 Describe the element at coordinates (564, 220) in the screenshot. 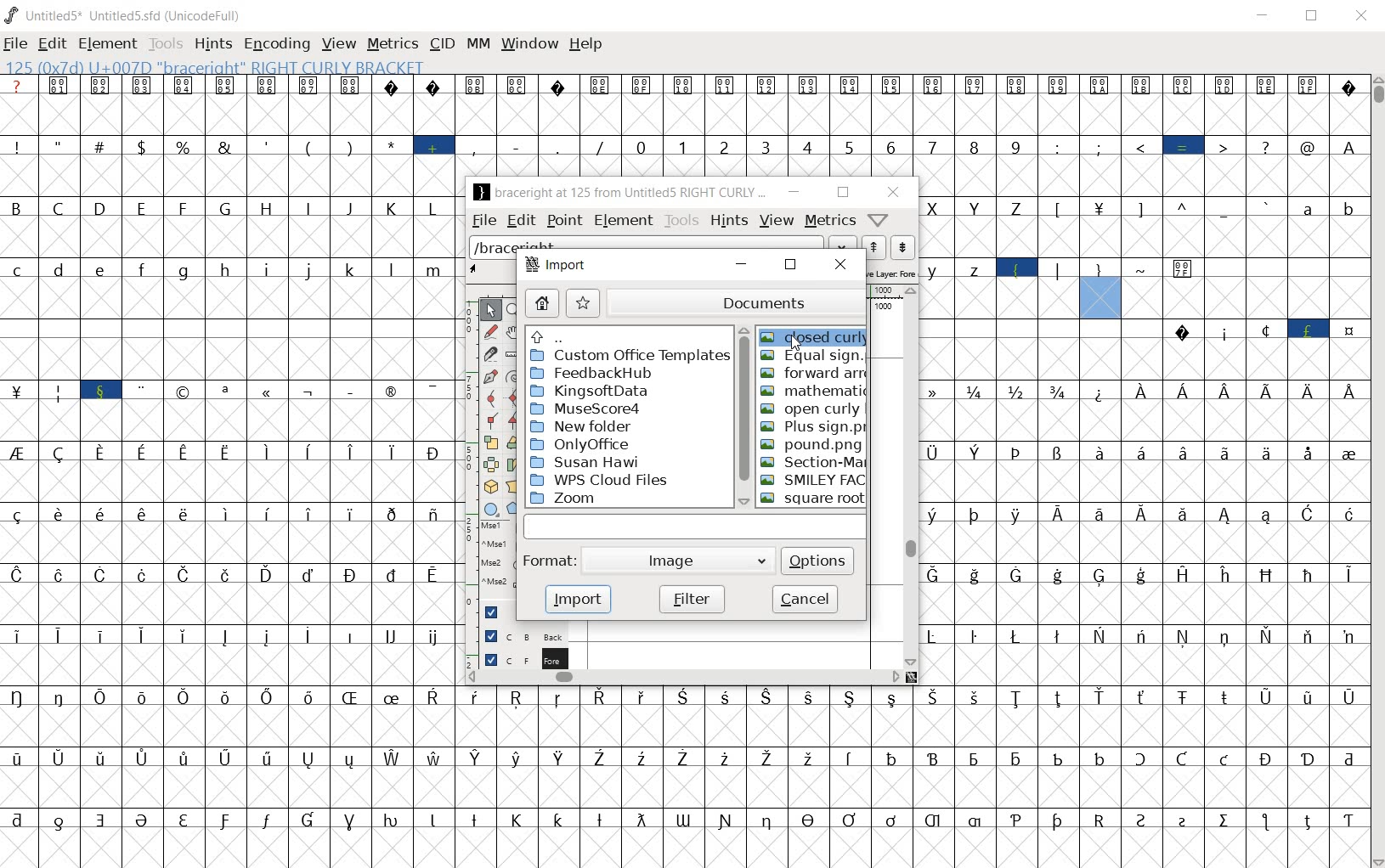

I see `point` at that location.